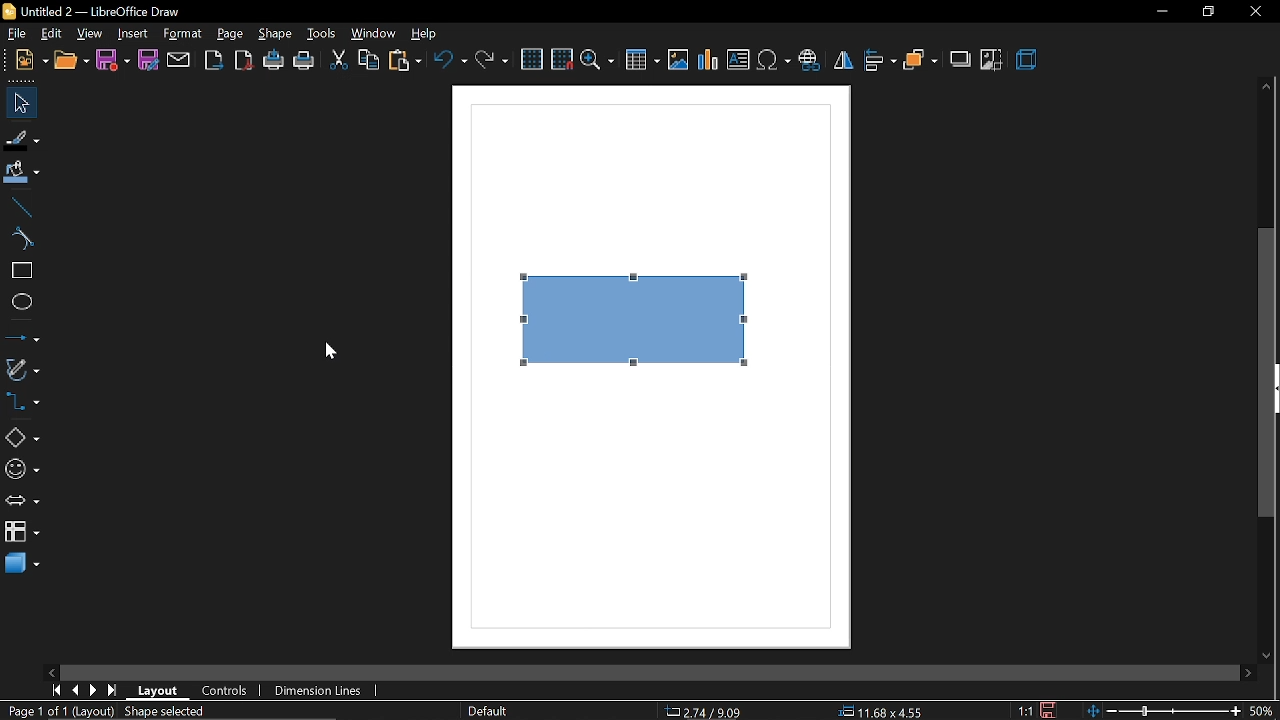  What do you see at coordinates (25, 59) in the screenshot?
I see `new` at bounding box center [25, 59].